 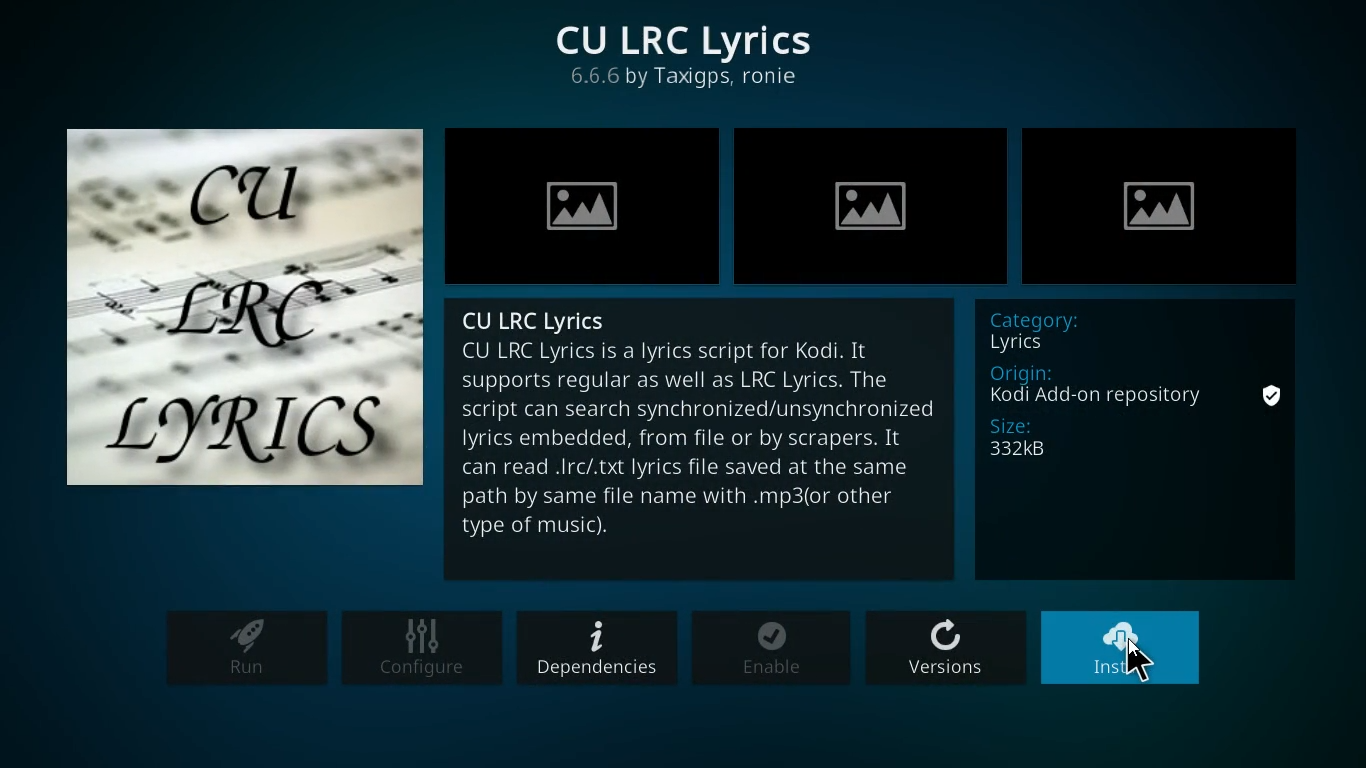 I want to click on dependencies, so click(x=597, y=648).